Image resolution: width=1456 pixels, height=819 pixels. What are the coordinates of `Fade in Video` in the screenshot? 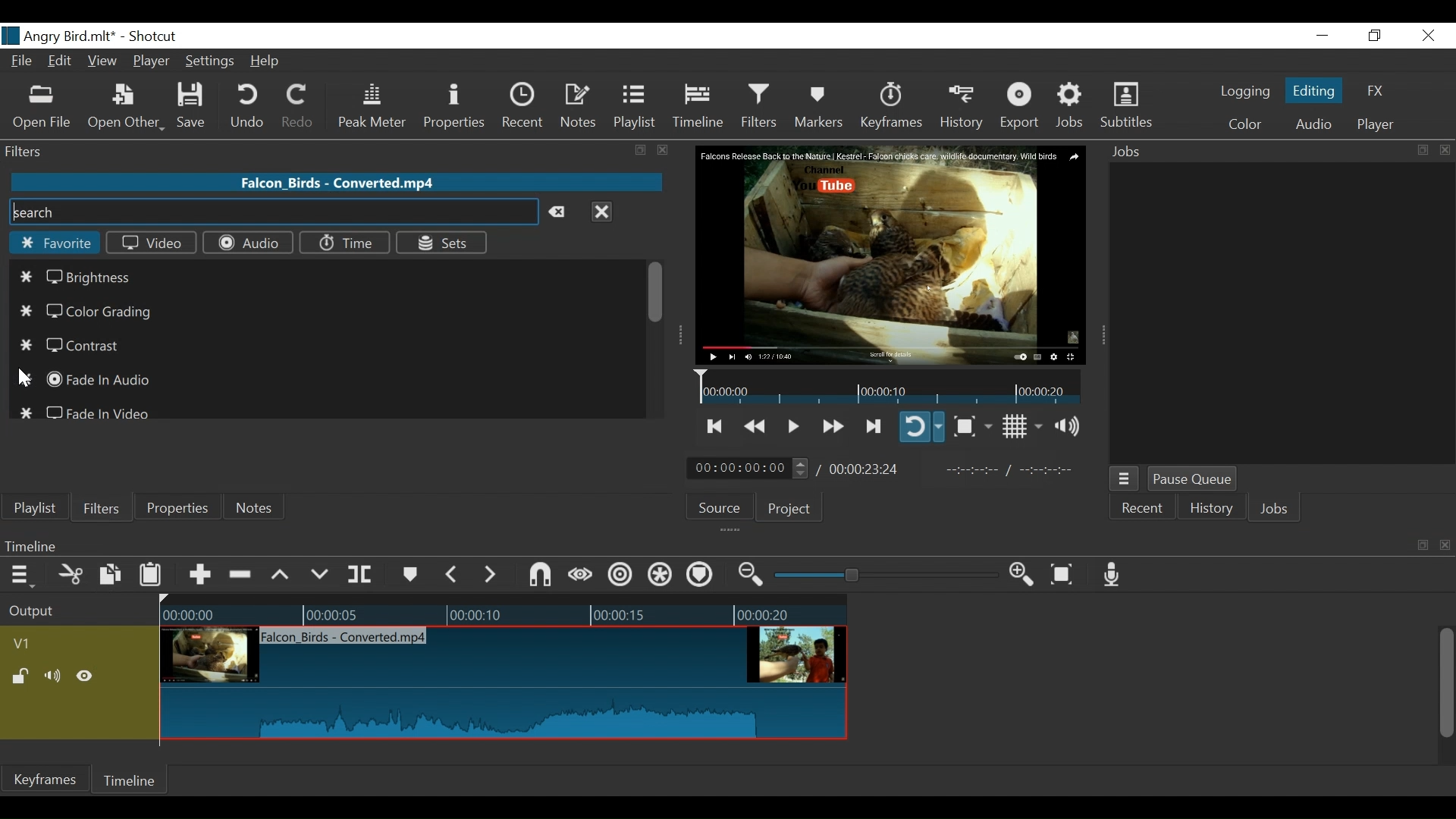 It's located at (87, 409).